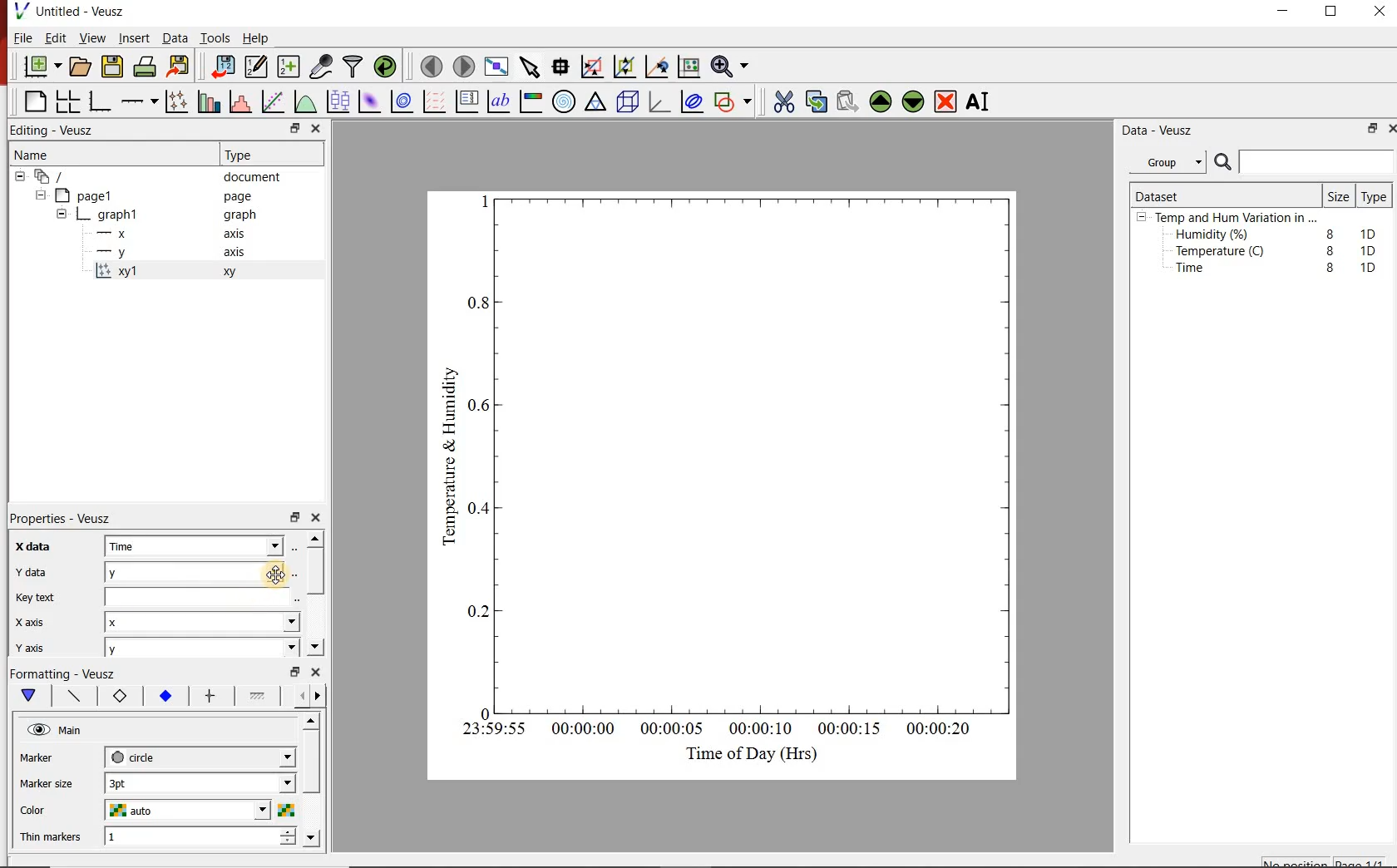  Describe the element at coordinates (126, 252) in the screenshot. I see `y` at that location.